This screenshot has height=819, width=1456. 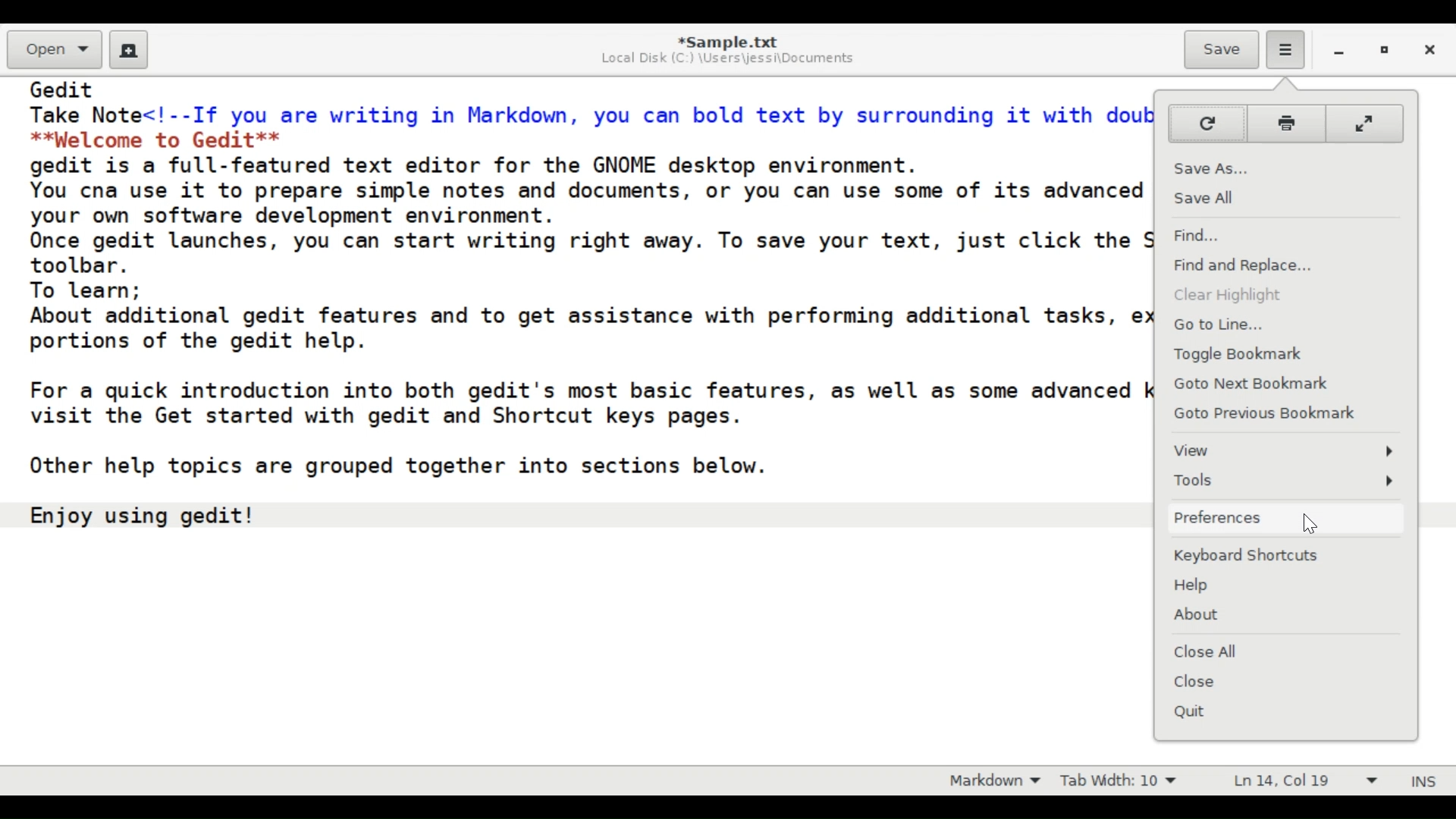 I want to click on Save, so click(x=1221, y=50).